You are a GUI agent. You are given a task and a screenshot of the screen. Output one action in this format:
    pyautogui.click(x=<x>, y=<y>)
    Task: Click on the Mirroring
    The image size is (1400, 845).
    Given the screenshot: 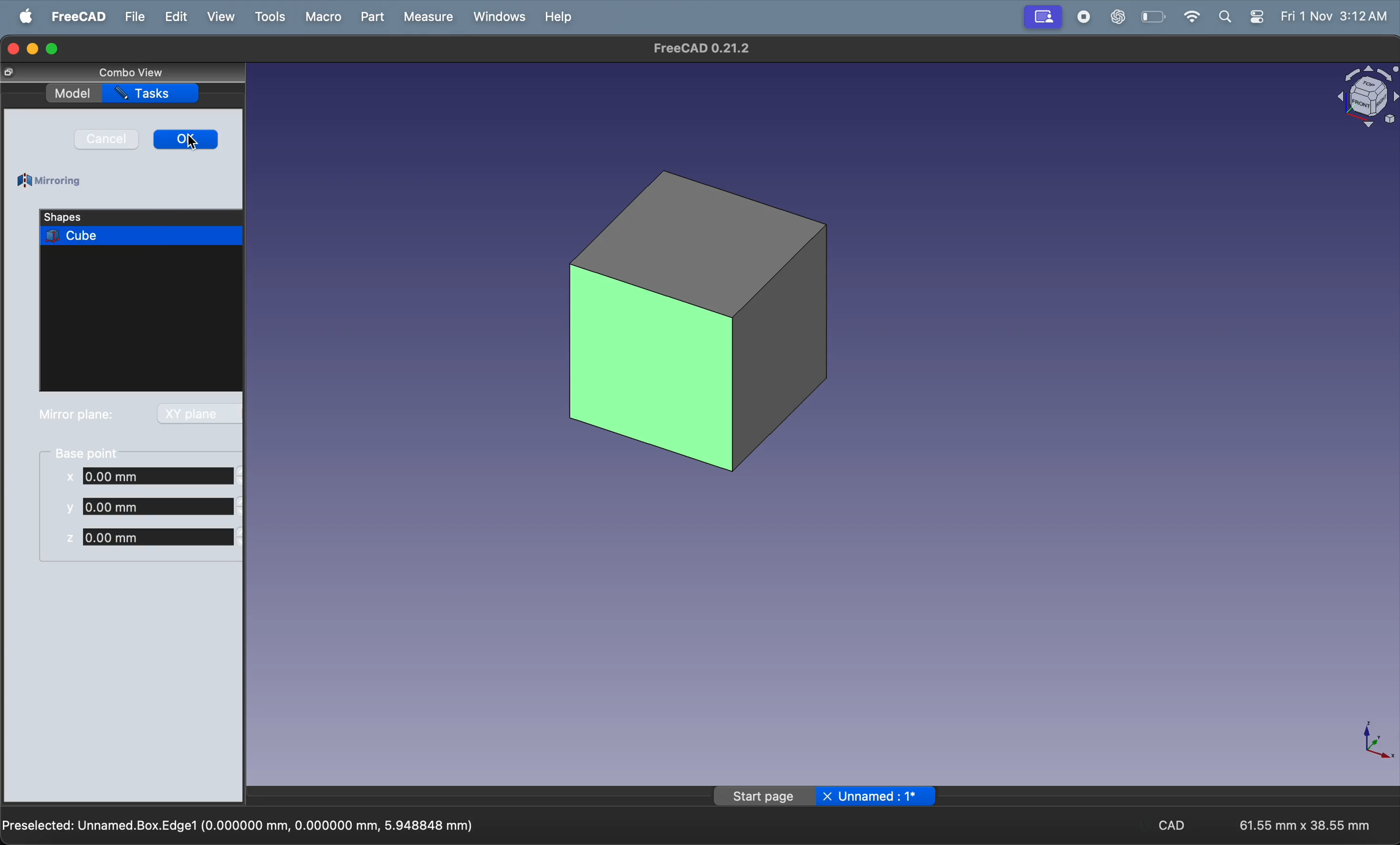 What is the action you would take?
    pyautogui.click(x=52, y=182)
    